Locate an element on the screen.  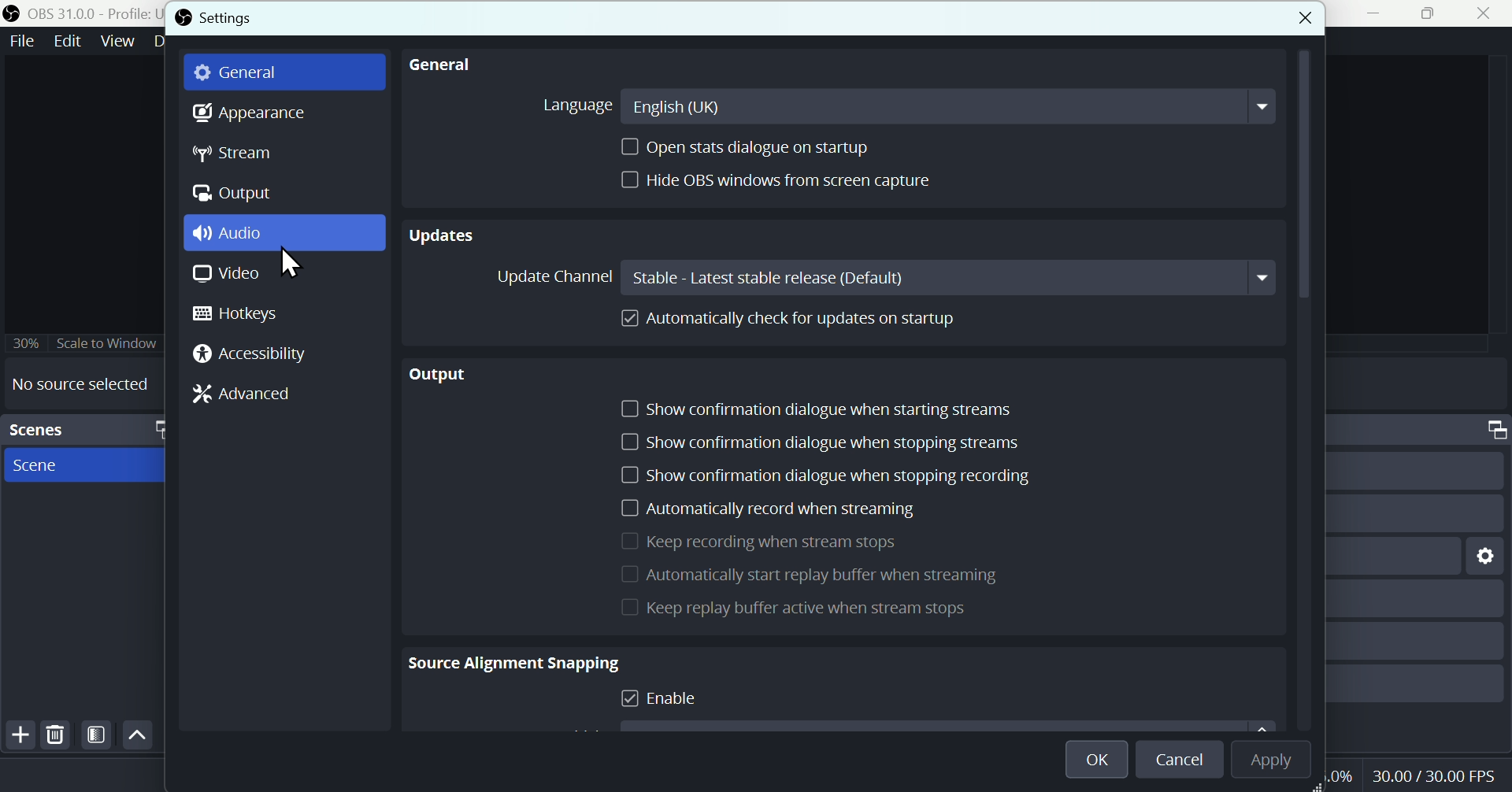
Show confirmation dialogue when starting streams is located at coordinates (820, 405).